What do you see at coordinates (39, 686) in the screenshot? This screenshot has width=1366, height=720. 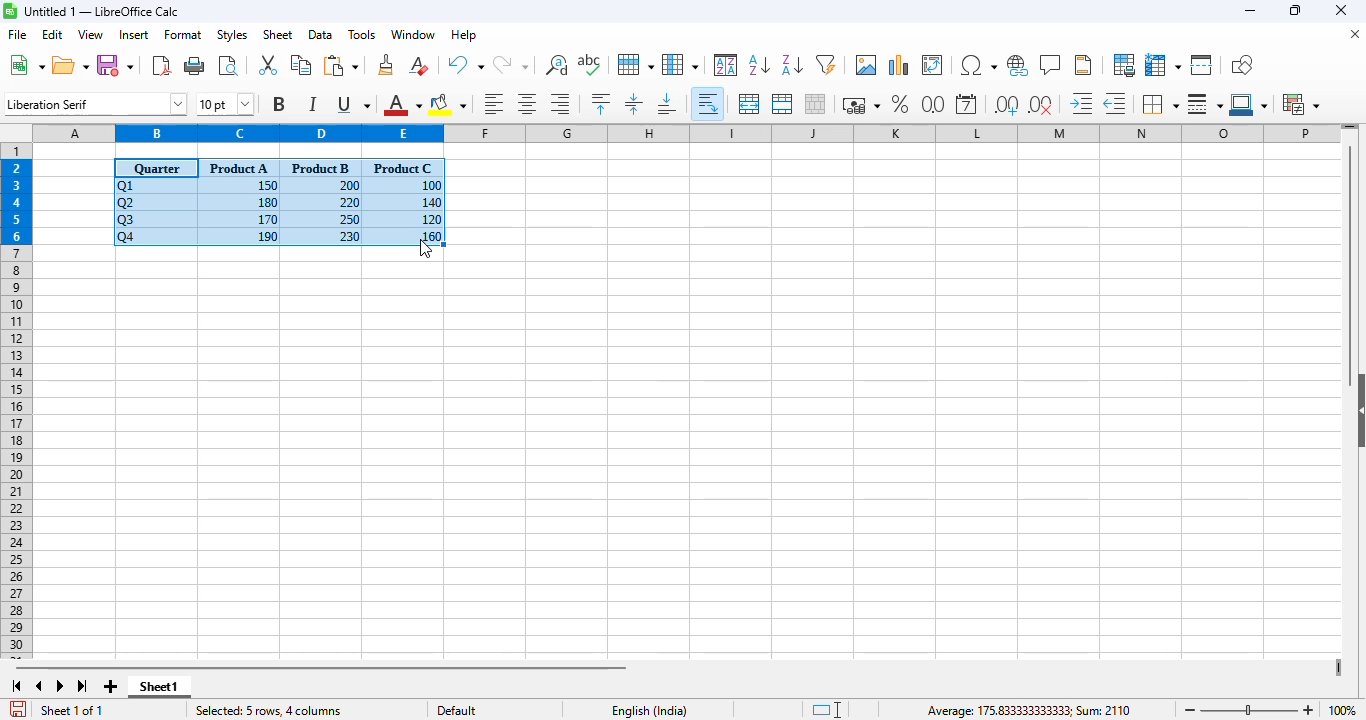 I see `scroll to previous sheet` at bounding box center [39, 686].